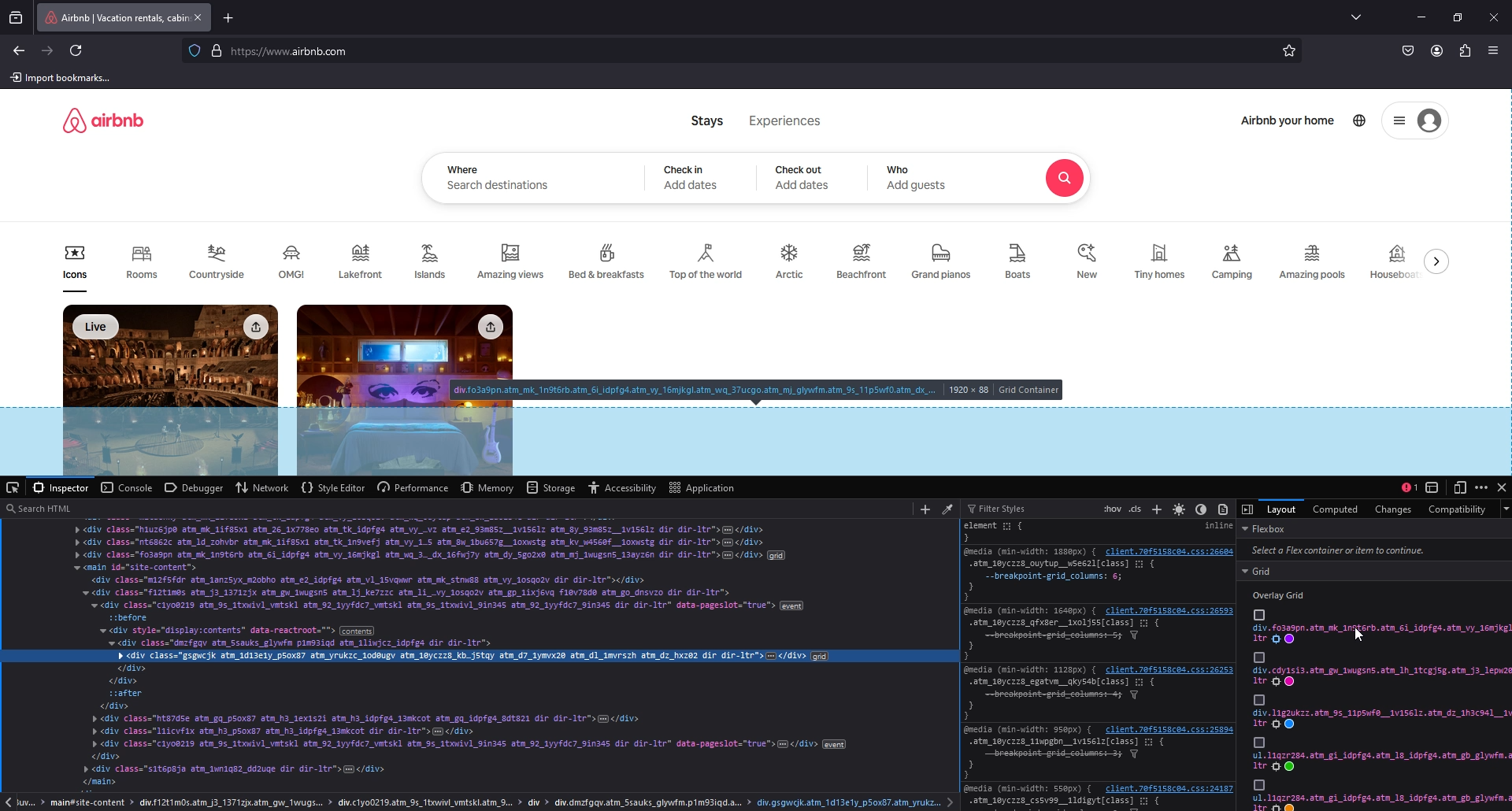 The image size is (1512, 811). I want to click on Stays , so click(708, 120).